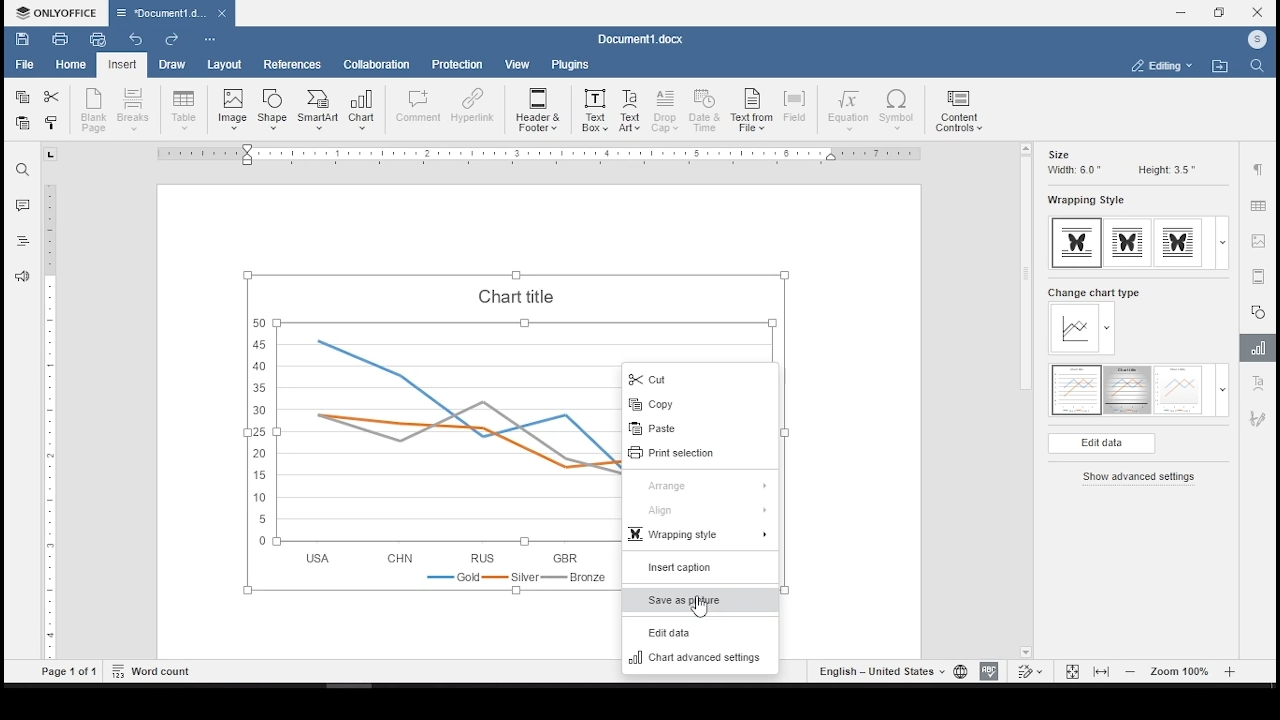 The width and height of the screenshot is (1280, 720). Describe the element at coordinates (700, 536) in the screenshot. I see `wrapping style` at that location.